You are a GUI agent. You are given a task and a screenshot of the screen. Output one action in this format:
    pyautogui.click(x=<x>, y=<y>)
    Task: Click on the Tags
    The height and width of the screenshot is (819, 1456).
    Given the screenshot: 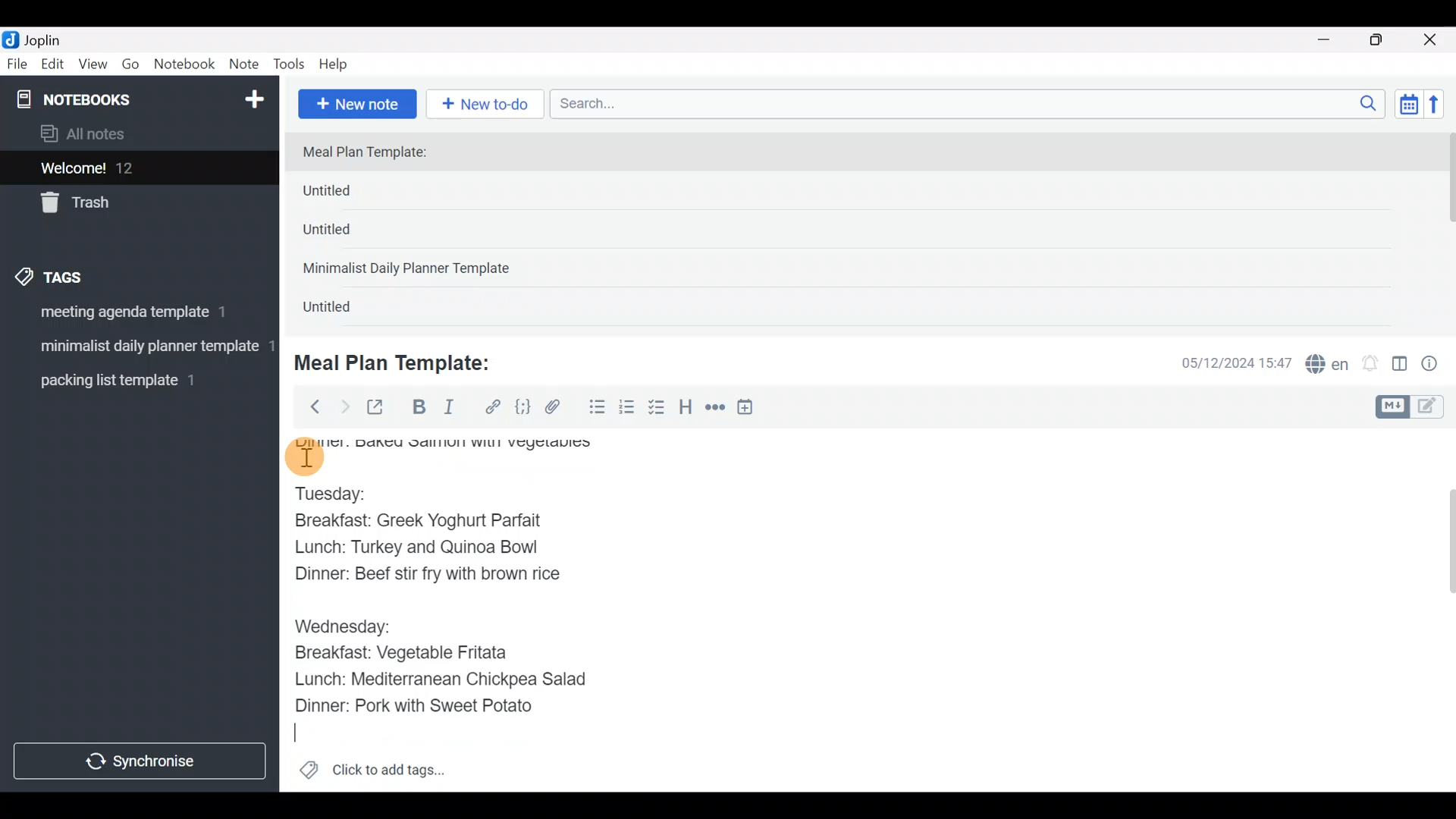 What is the action you would take?
    pyautogui.click(x=85, y=275)
    